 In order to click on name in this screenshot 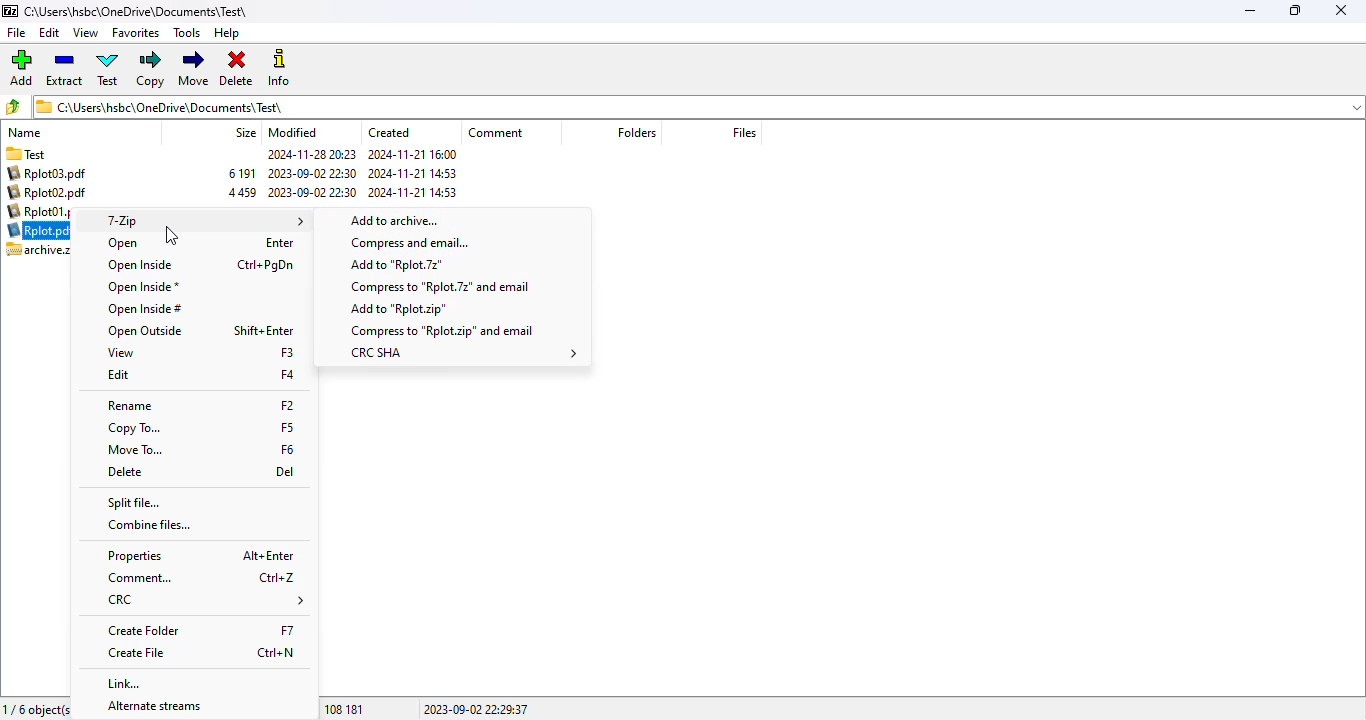, I will do `click(25, 132)`.